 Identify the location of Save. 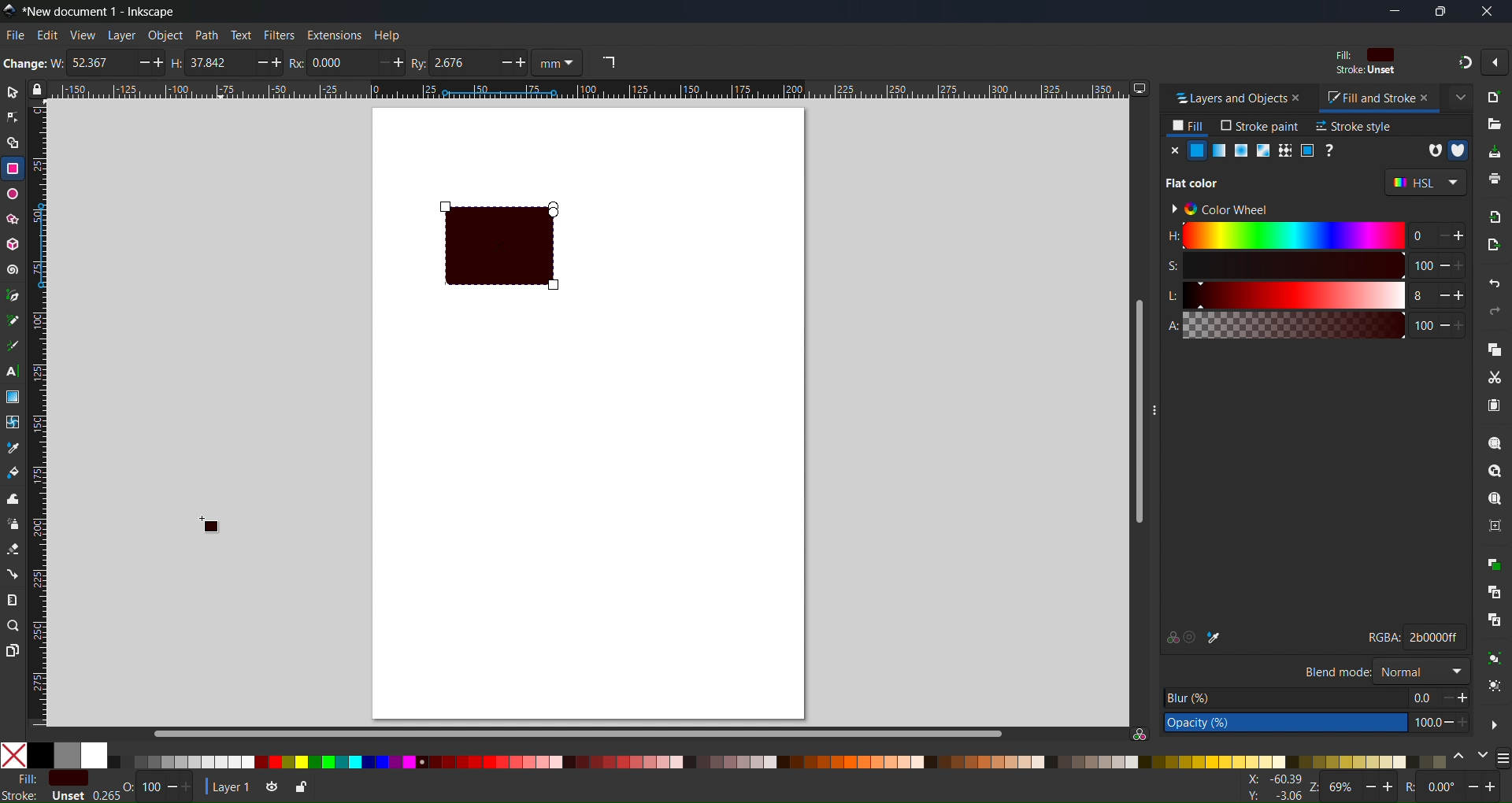
(1493, 151).